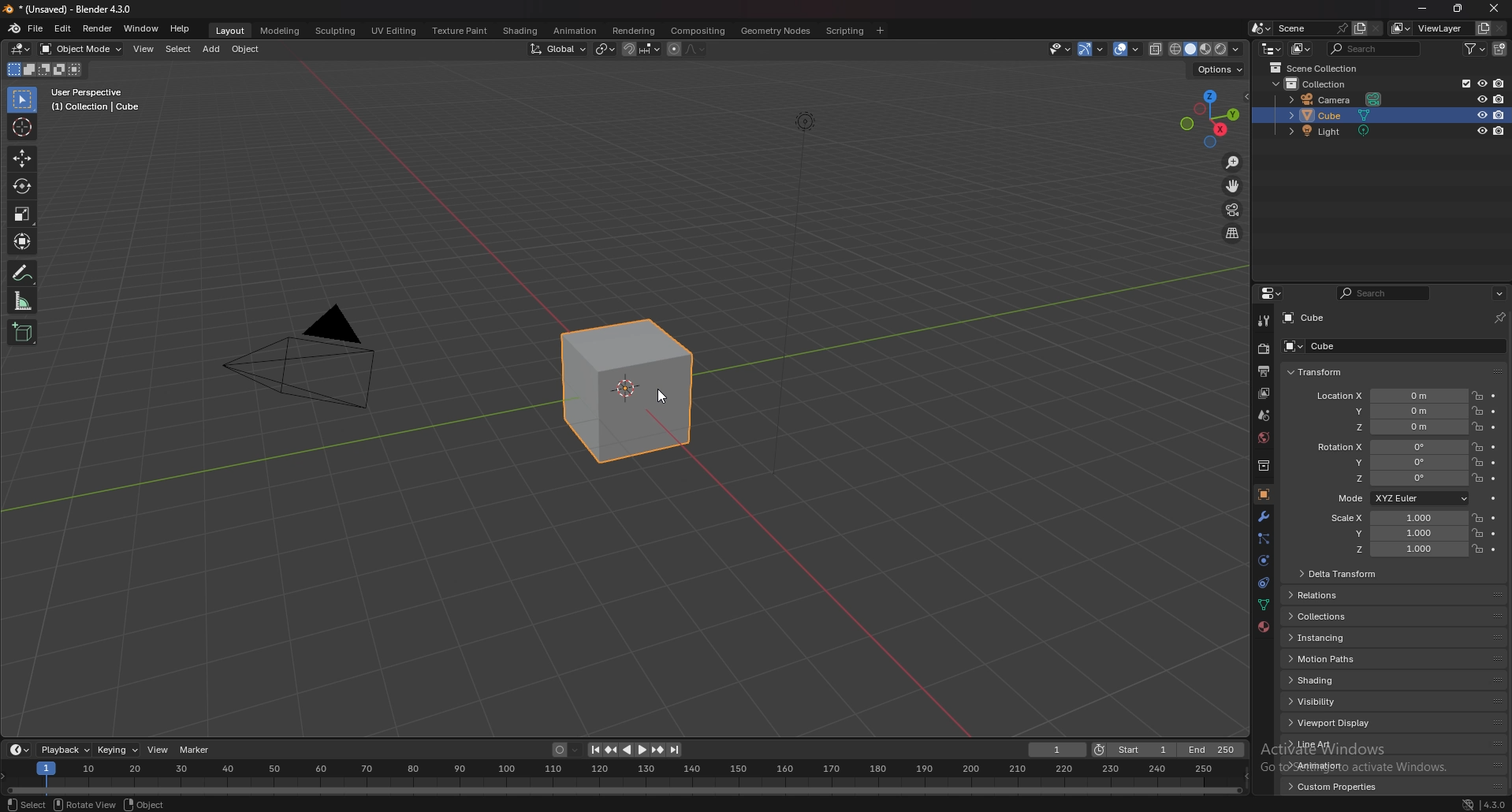  I want to click on user perspective, so click(99, 99).